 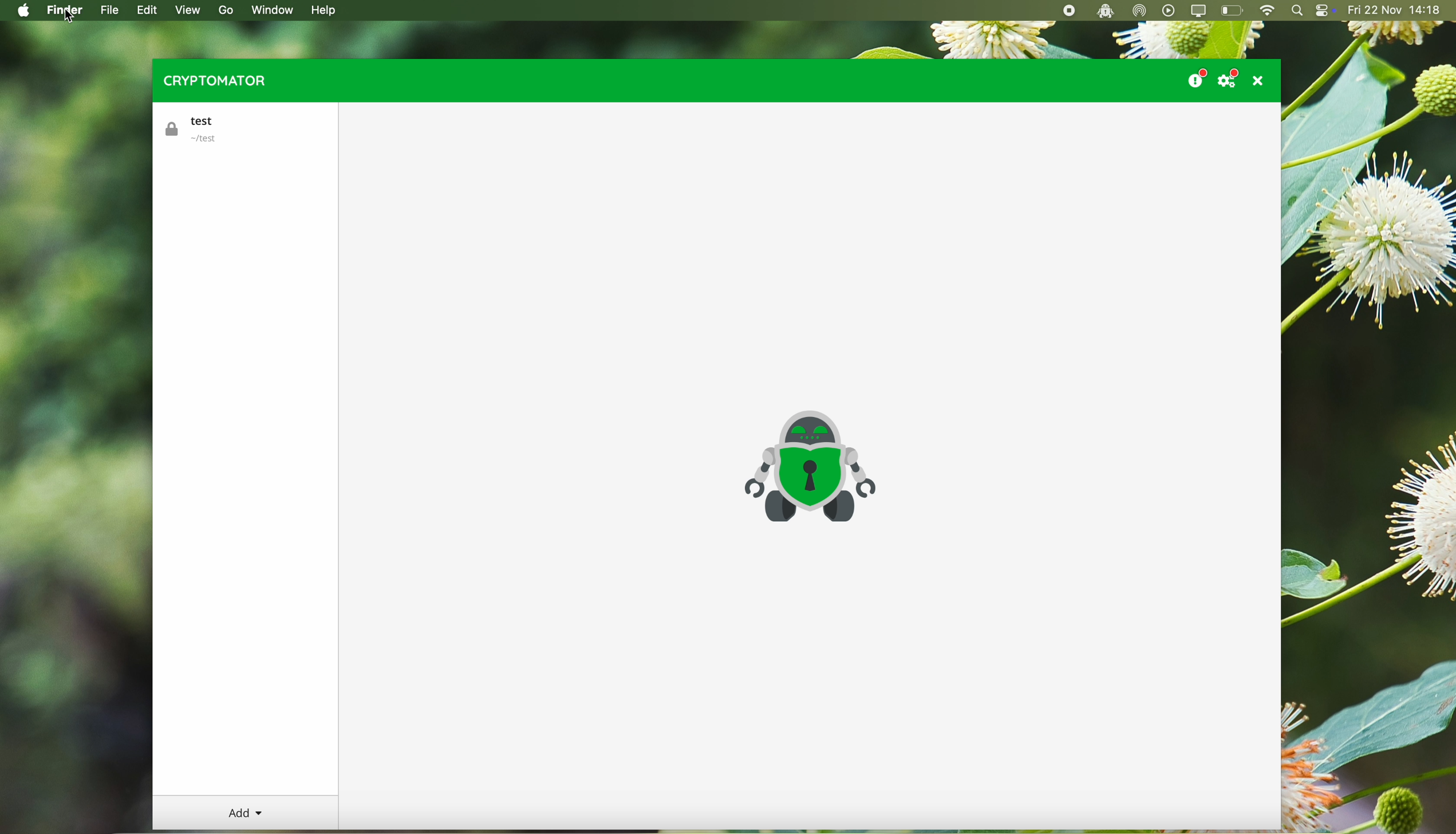 What do you see at coordinates (150, 11) in the screenshot?
I see `edit` at bounding box center [150, 11].